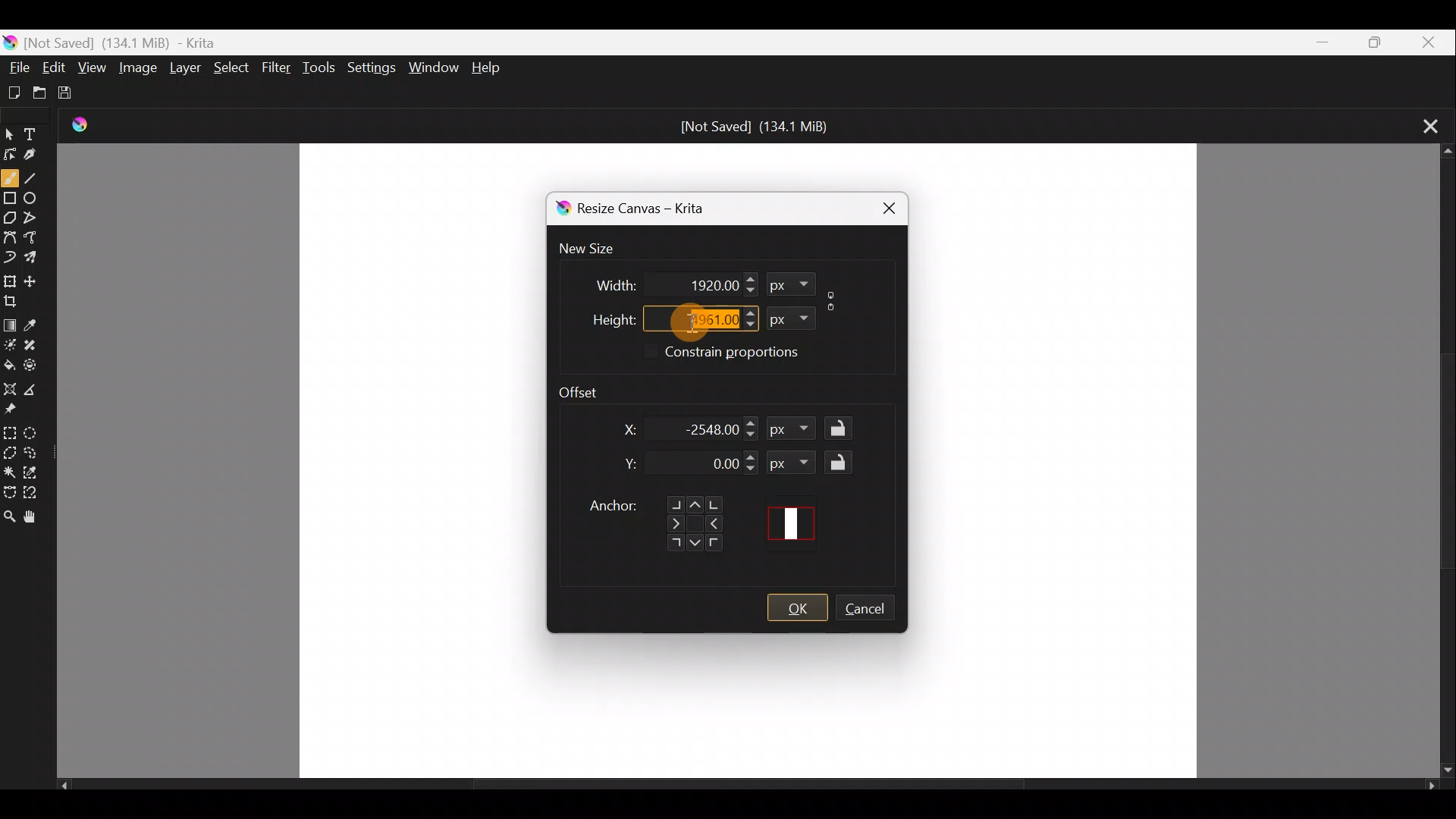 This screenshot has height=819, width=1456. I want to click on Assistant tool, so click(9, 386).